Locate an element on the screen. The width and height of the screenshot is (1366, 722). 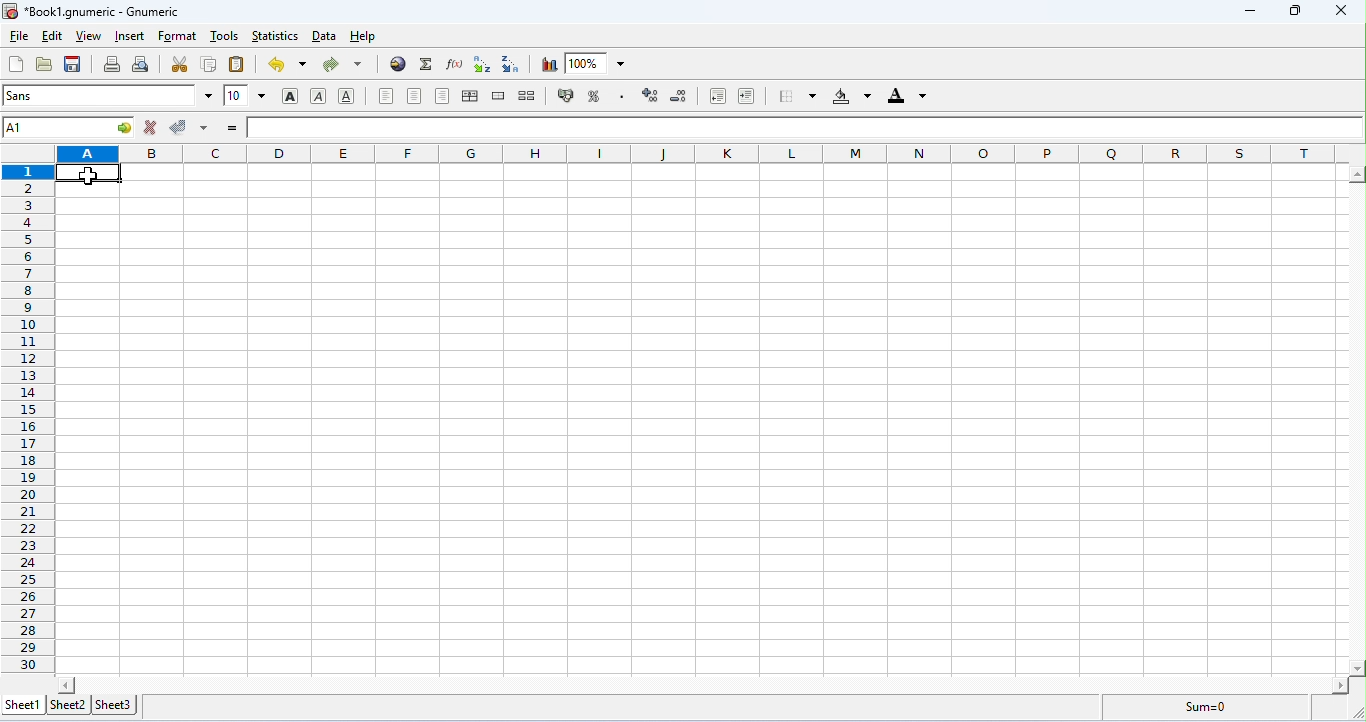
file is located at coordinates (19, 35).